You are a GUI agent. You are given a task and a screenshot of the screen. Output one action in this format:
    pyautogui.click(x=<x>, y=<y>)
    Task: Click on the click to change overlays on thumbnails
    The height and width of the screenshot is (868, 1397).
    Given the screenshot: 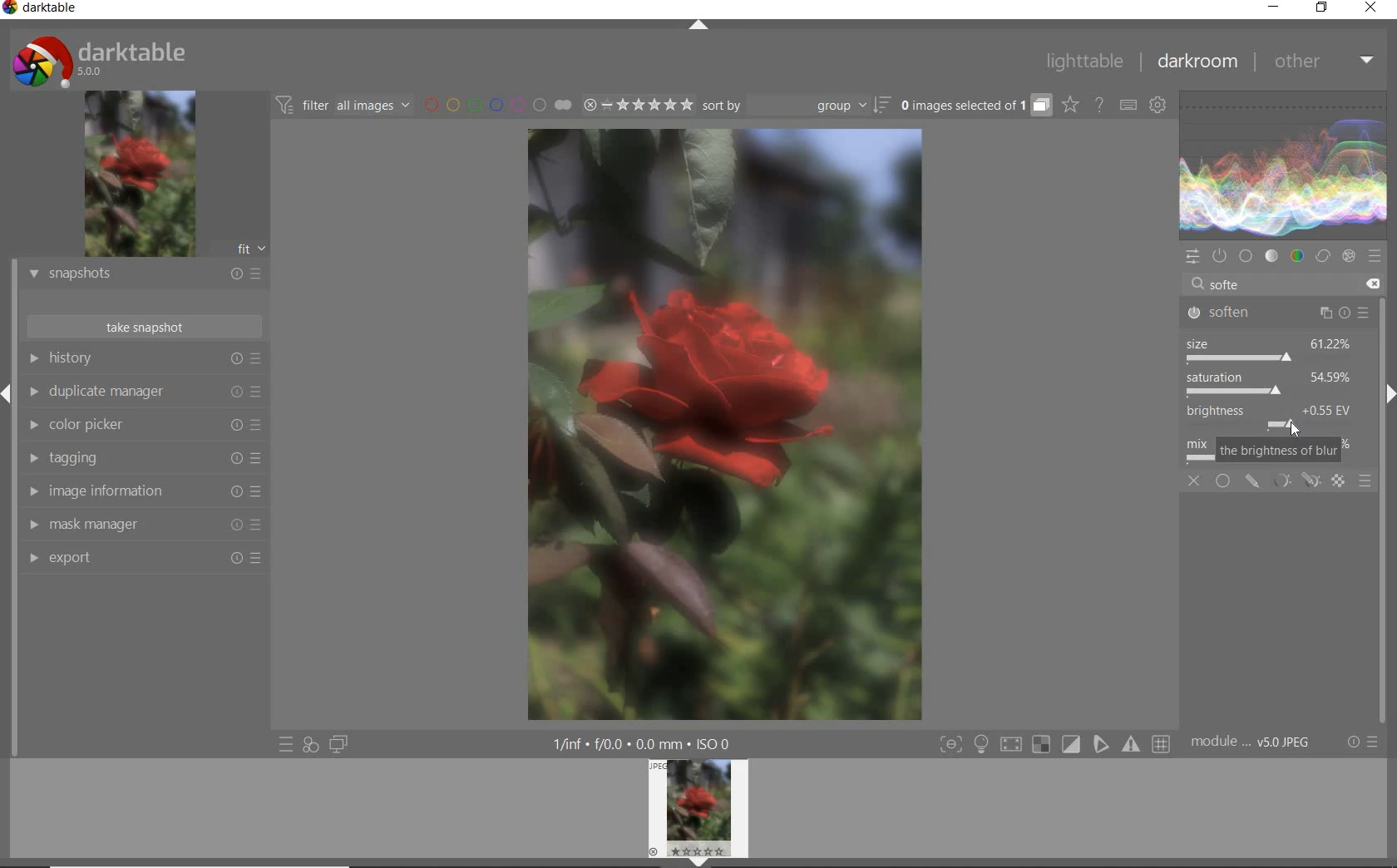 What is the action you would take?
    pyautogui.click(x=1068, y=104)
    